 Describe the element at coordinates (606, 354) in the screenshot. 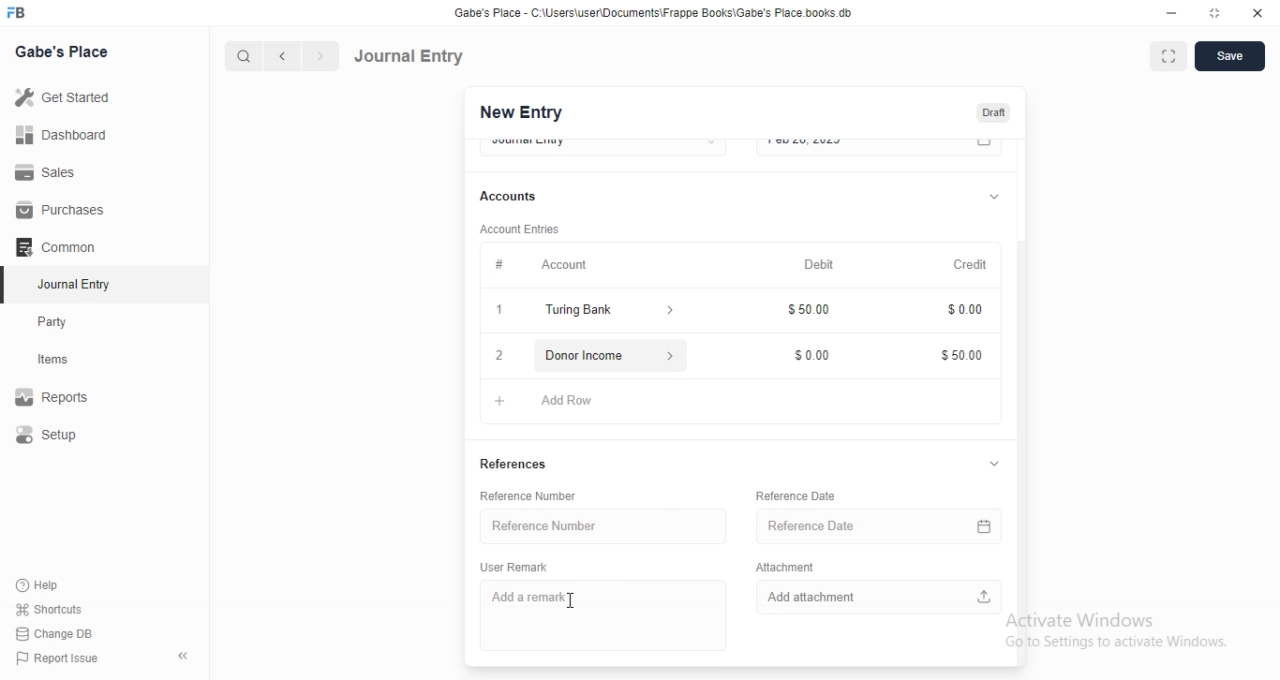

I see `donor income` at that location.